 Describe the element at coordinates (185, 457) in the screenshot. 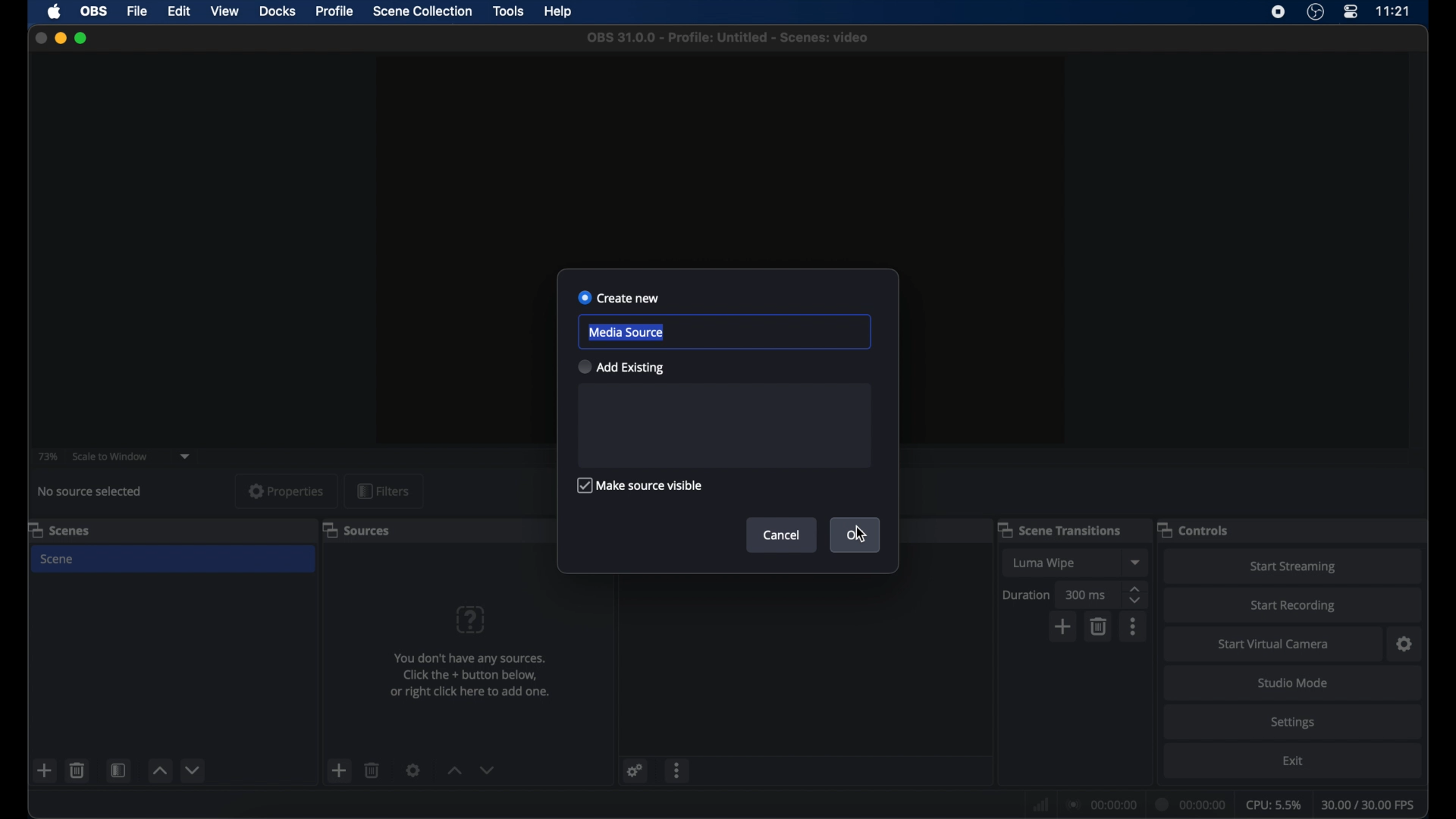

I see `dropdown` at that location.